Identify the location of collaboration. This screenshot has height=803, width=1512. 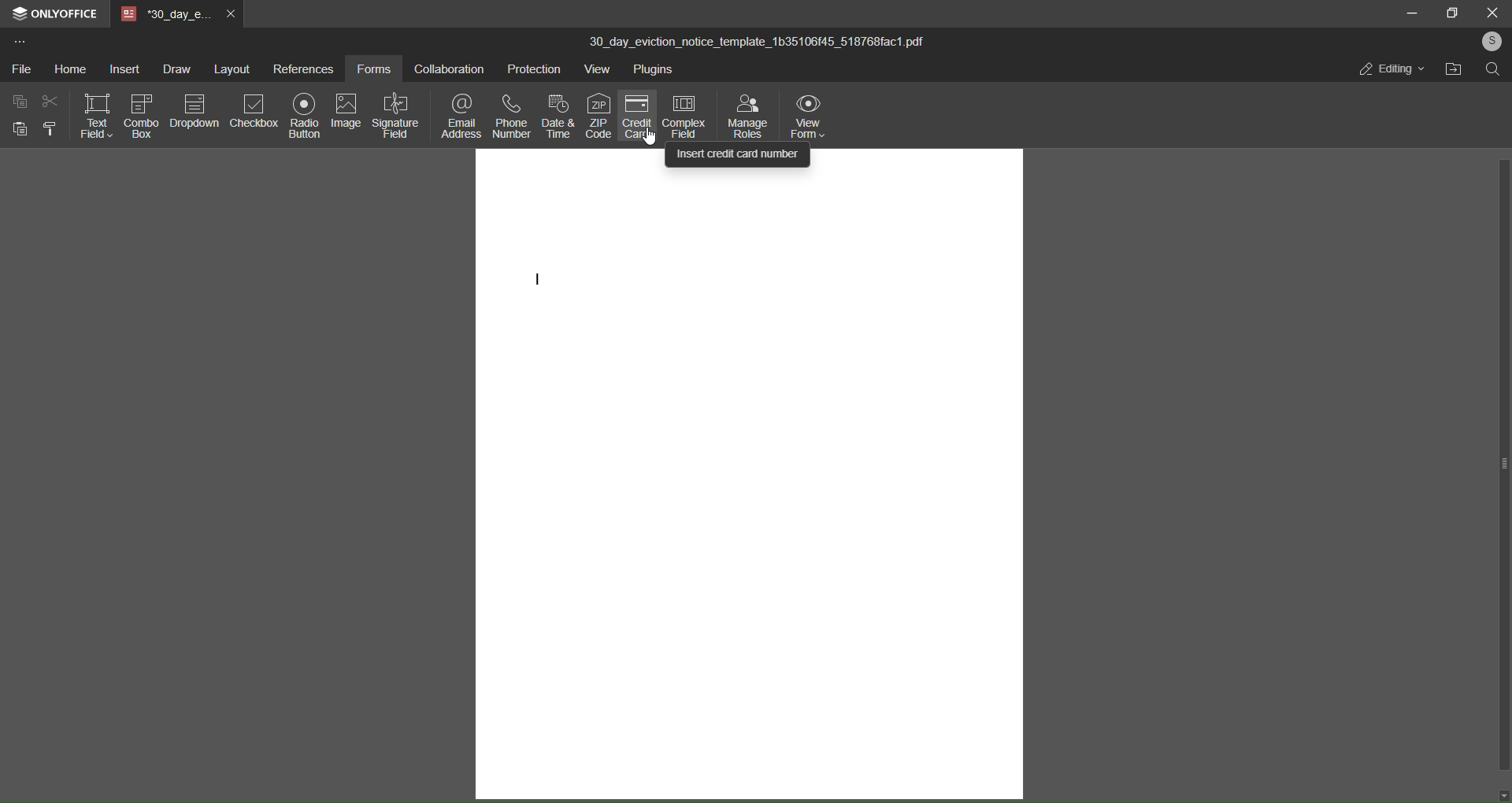
(451, 68).